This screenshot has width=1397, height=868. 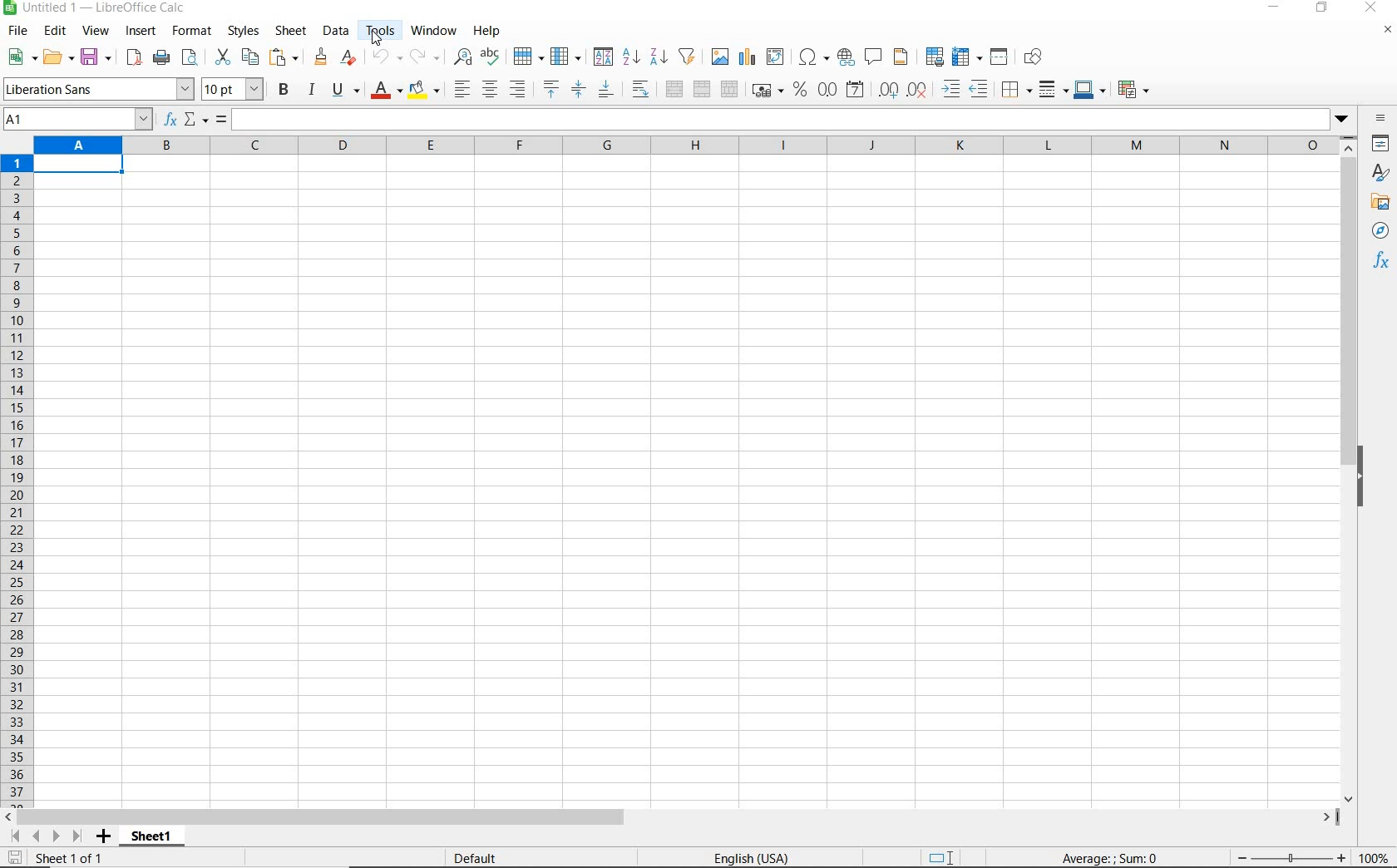 I want to click on tools, so click(x=379, y=31).